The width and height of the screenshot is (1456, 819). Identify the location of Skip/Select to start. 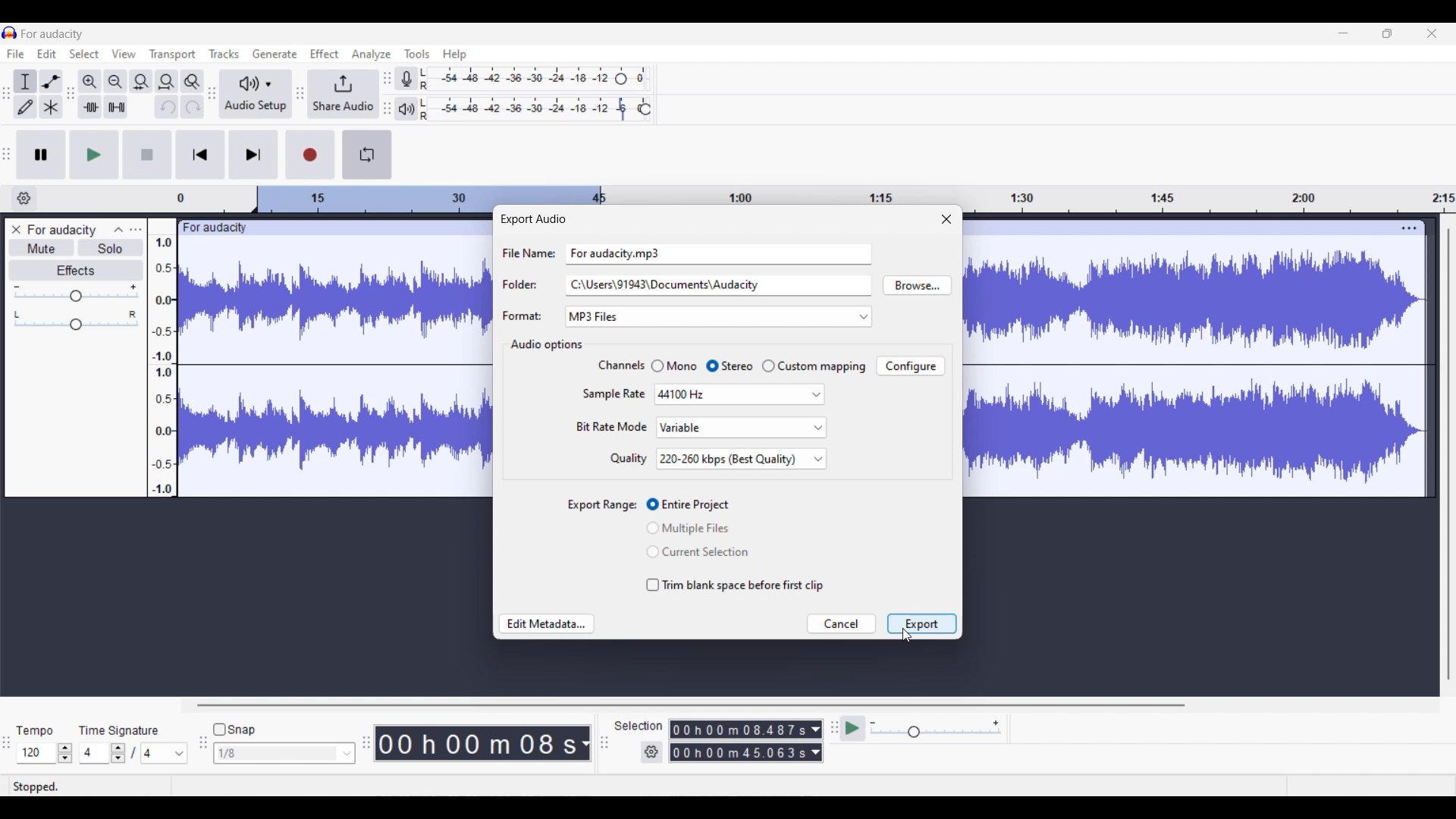
(200, 154).